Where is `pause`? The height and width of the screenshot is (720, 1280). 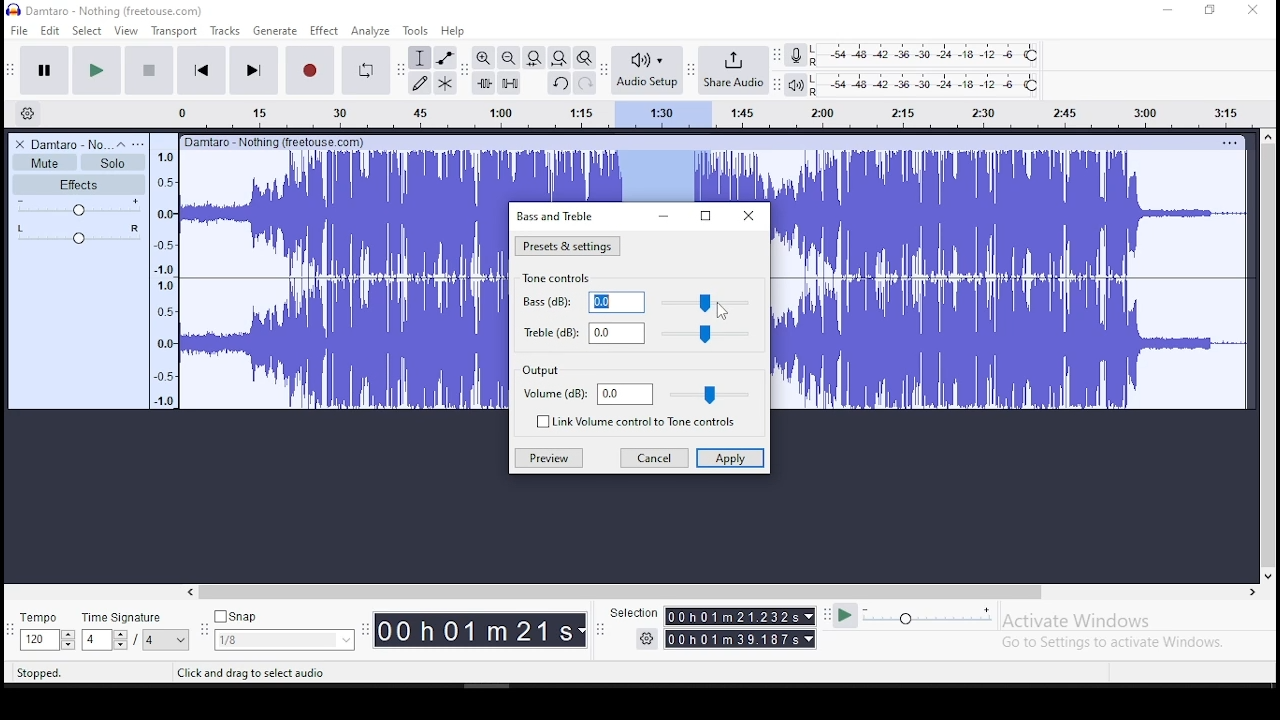
pause is located at coordinates (46, 71).